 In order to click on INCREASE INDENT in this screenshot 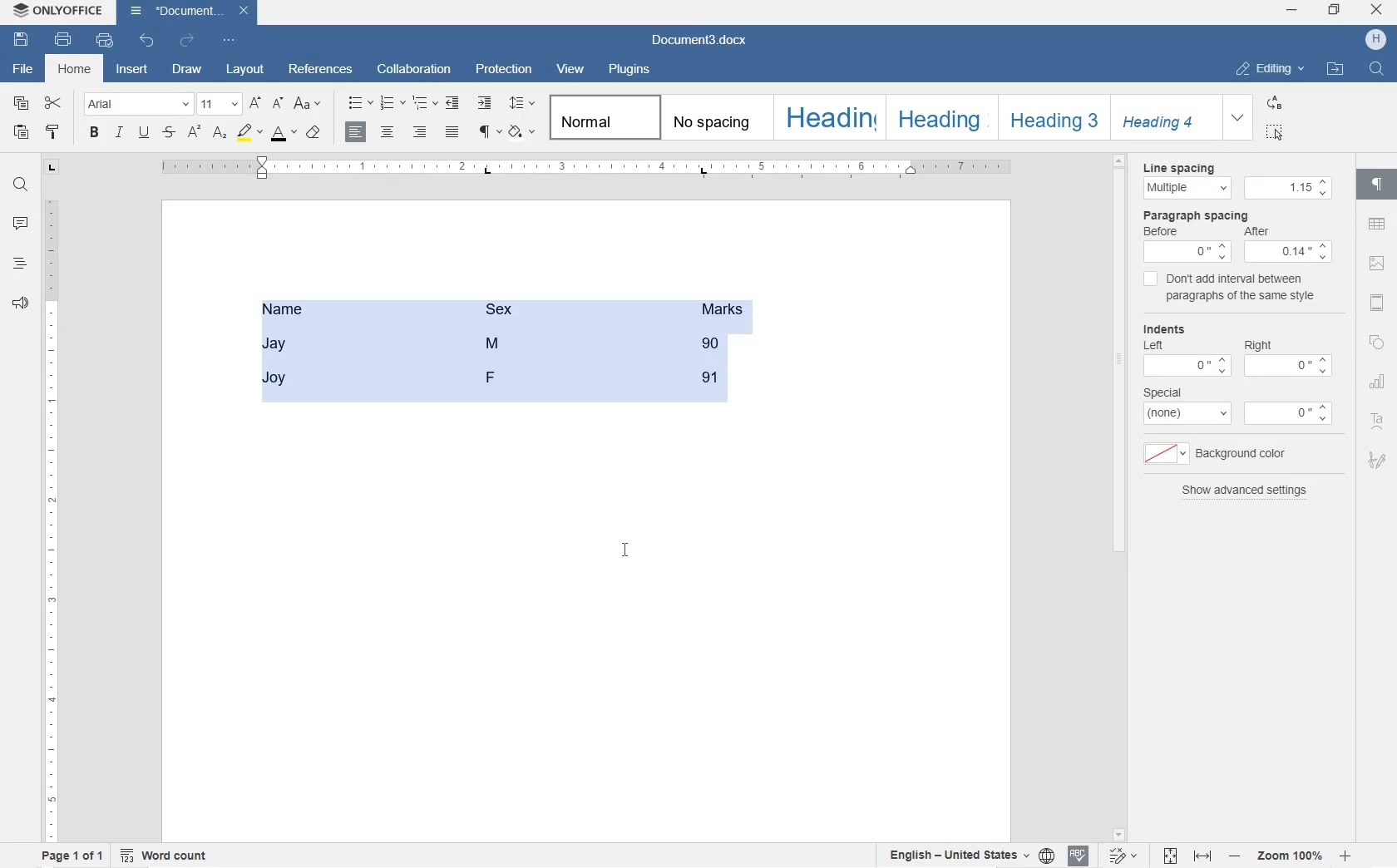, I will do `click(484, 102)`.